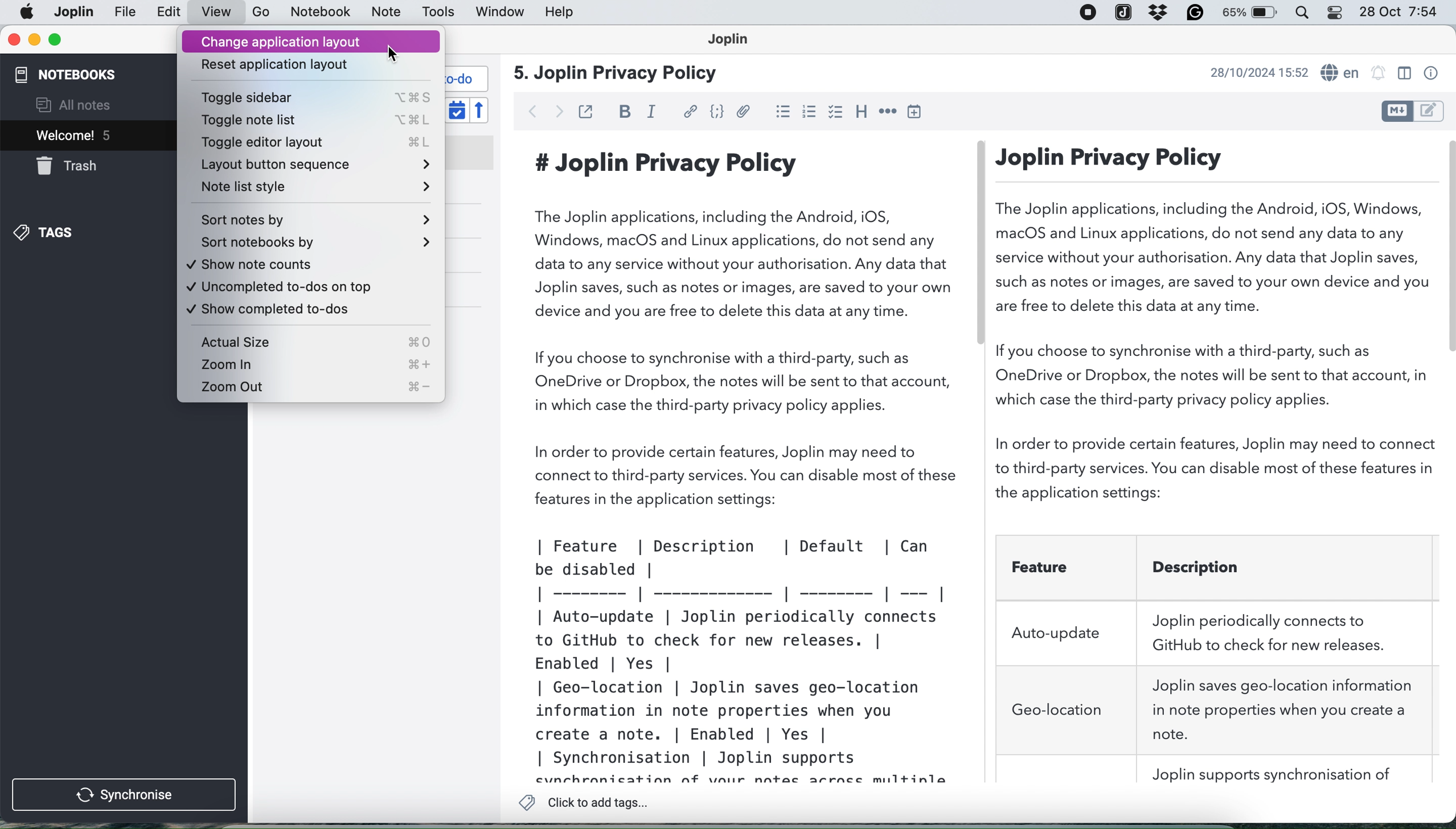 This screenshot has width=1456, height=829. What do you see at coordinates (169, 13) in the screenshot?
I see `edit` at bounding box center [169, 13].